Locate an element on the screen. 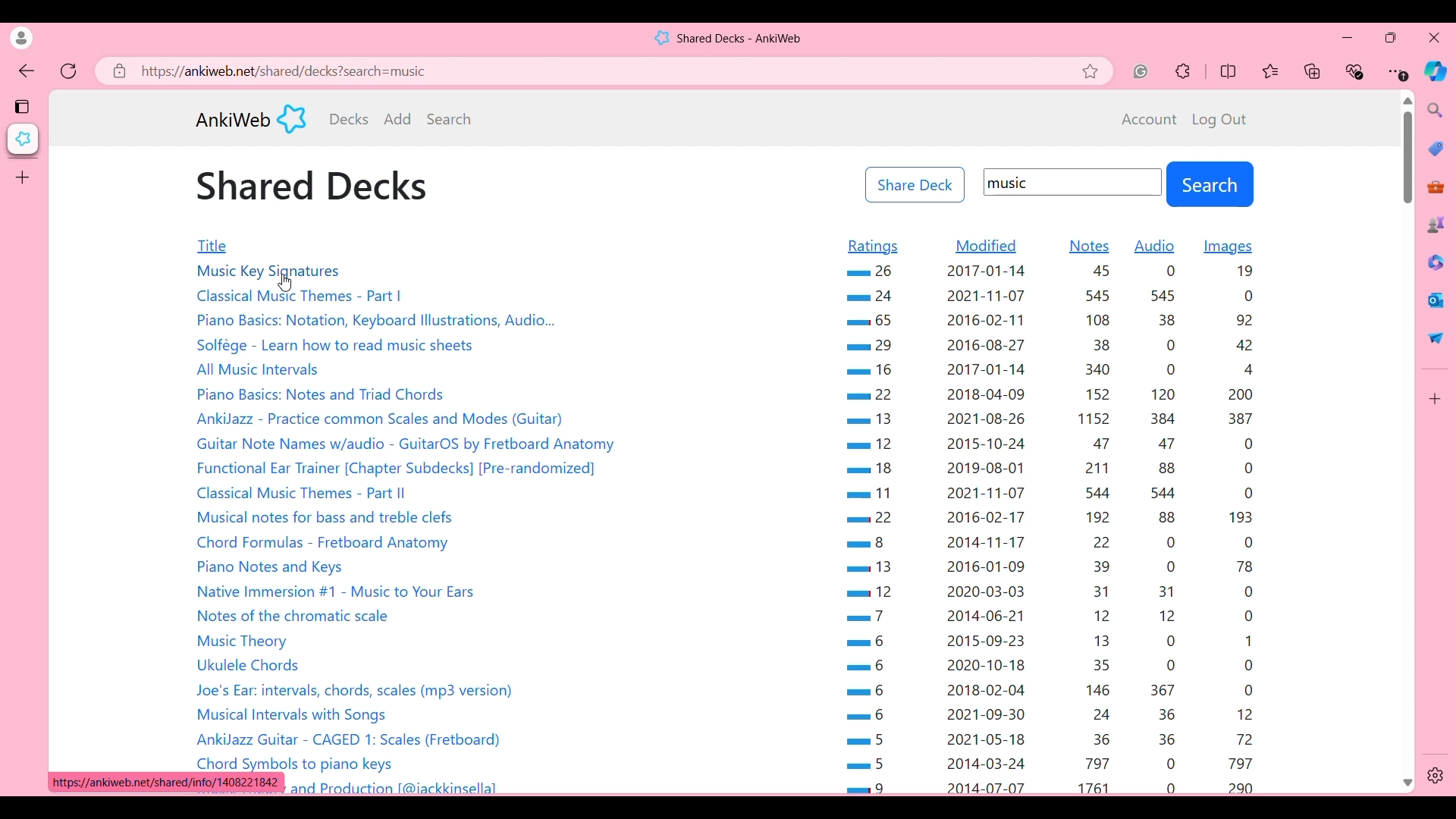 Image resolution: width=1456 pixels, height=819 pixels. Audio is located at coordinates (1155, 246).